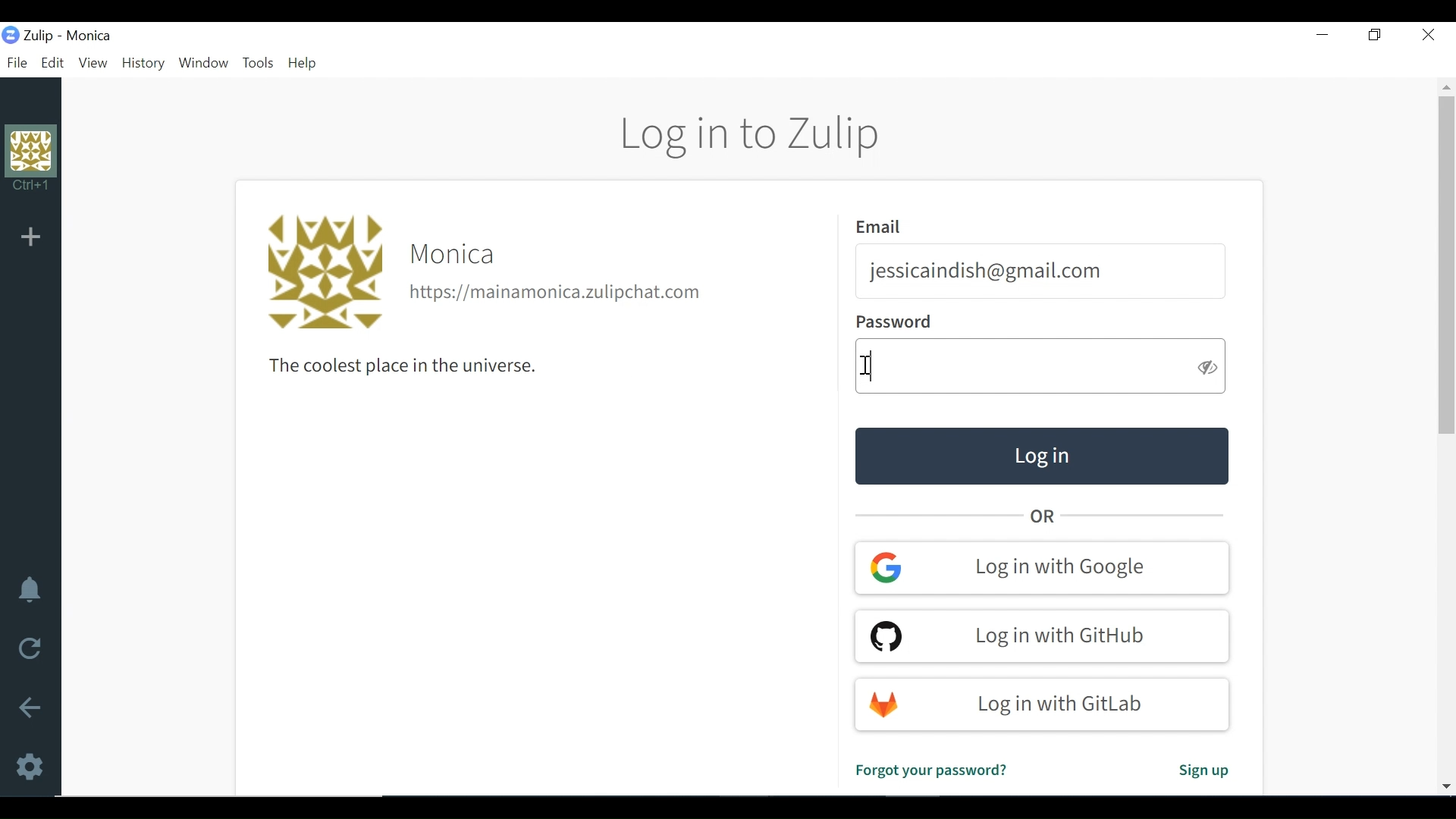 The image size is (1456, 819). I want to click on Profile, so click(31, 163).